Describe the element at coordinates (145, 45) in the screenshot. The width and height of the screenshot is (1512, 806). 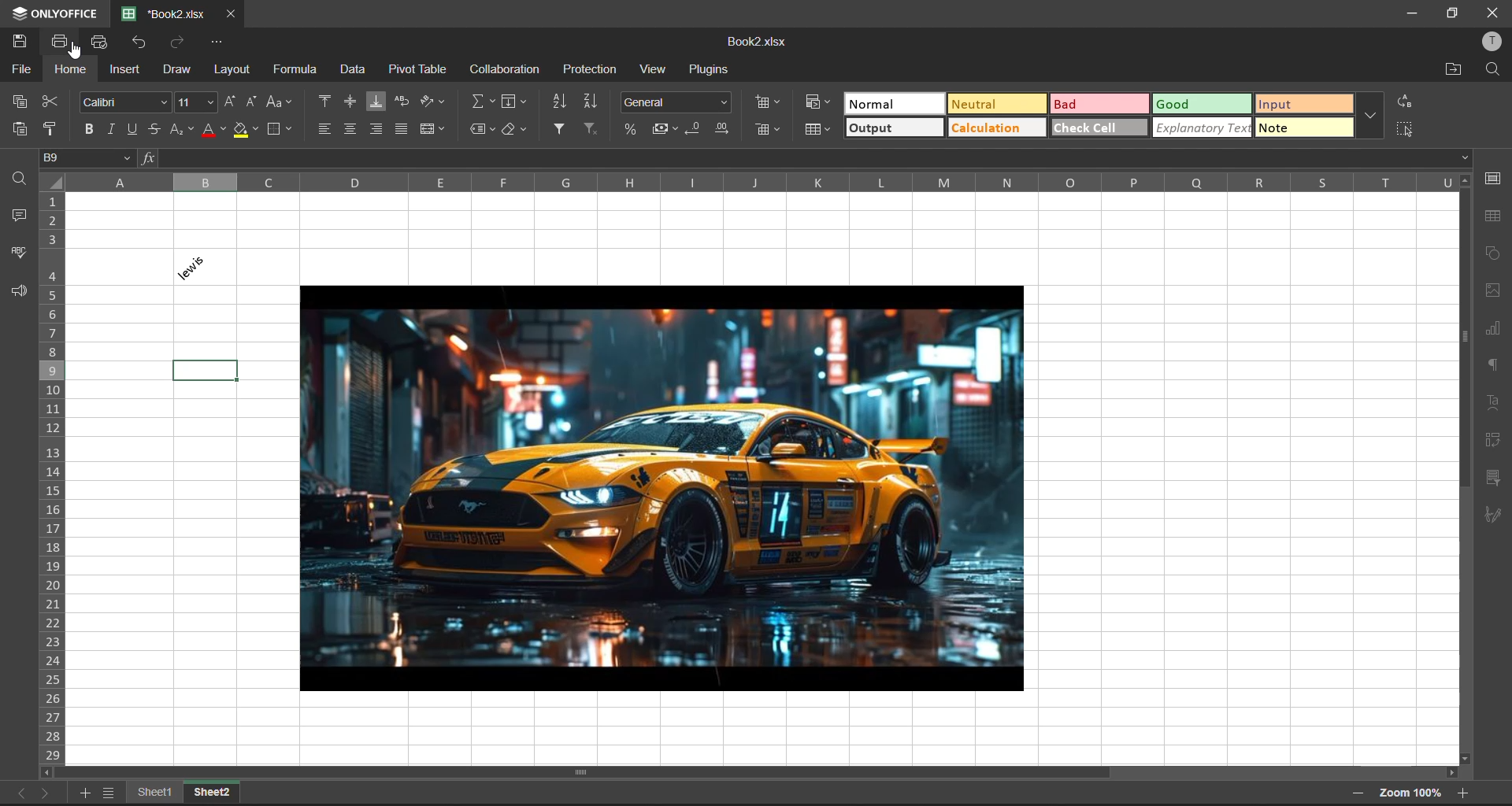
I see `undo` at that location.